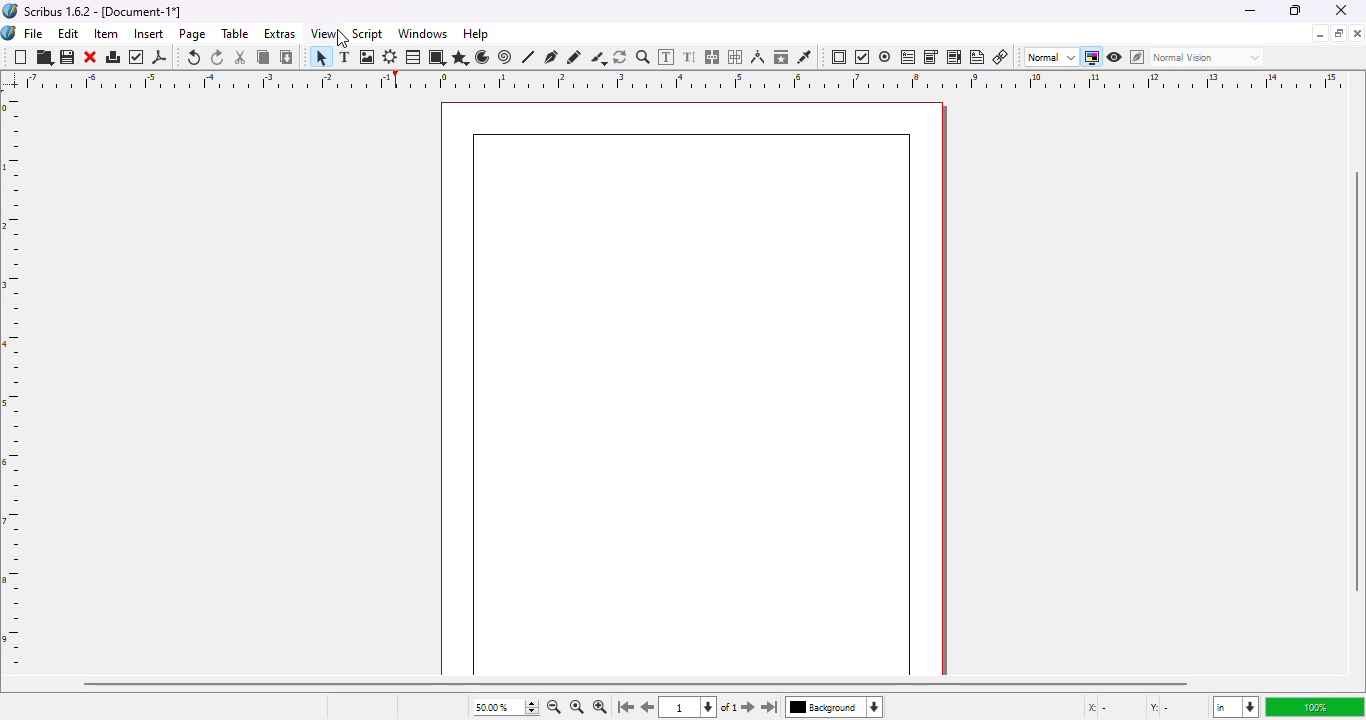  I want to click on ruler, so click(15, 382).